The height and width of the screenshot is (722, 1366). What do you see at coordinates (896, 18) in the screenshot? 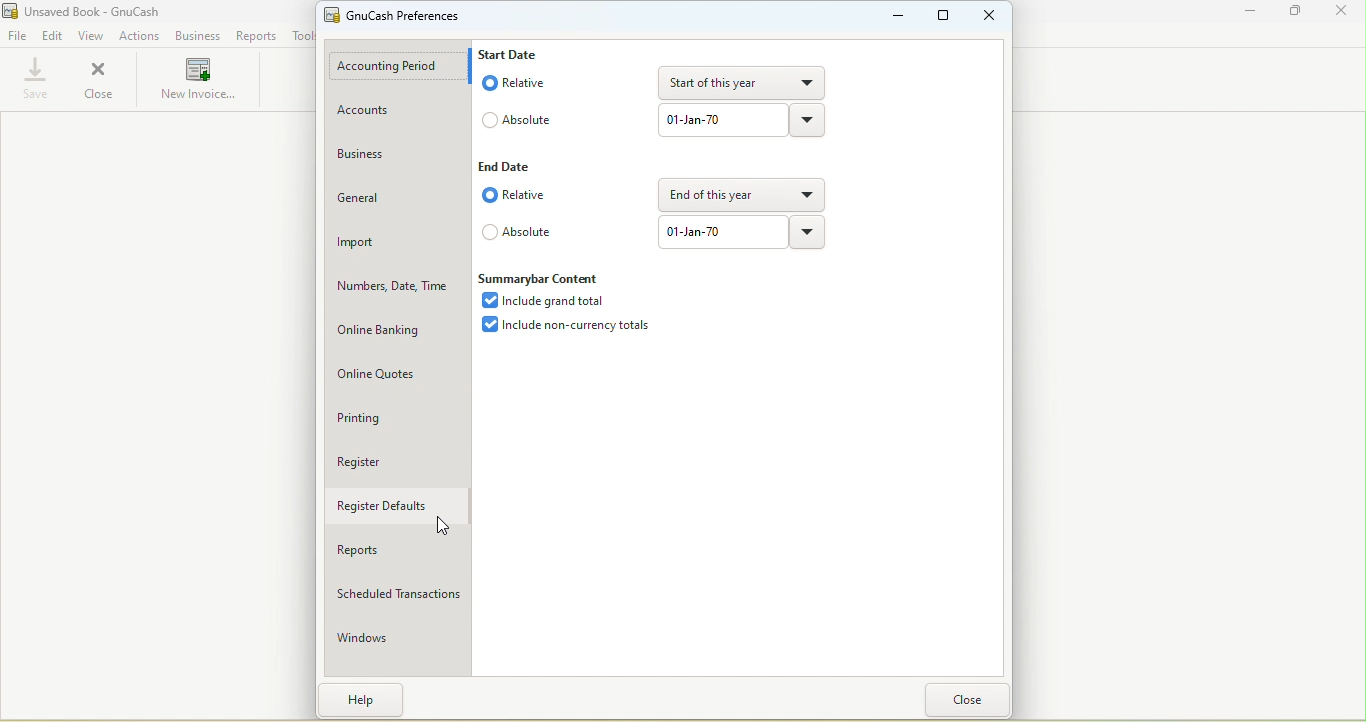
I see `Minimize` at bounding box center [896, 18].